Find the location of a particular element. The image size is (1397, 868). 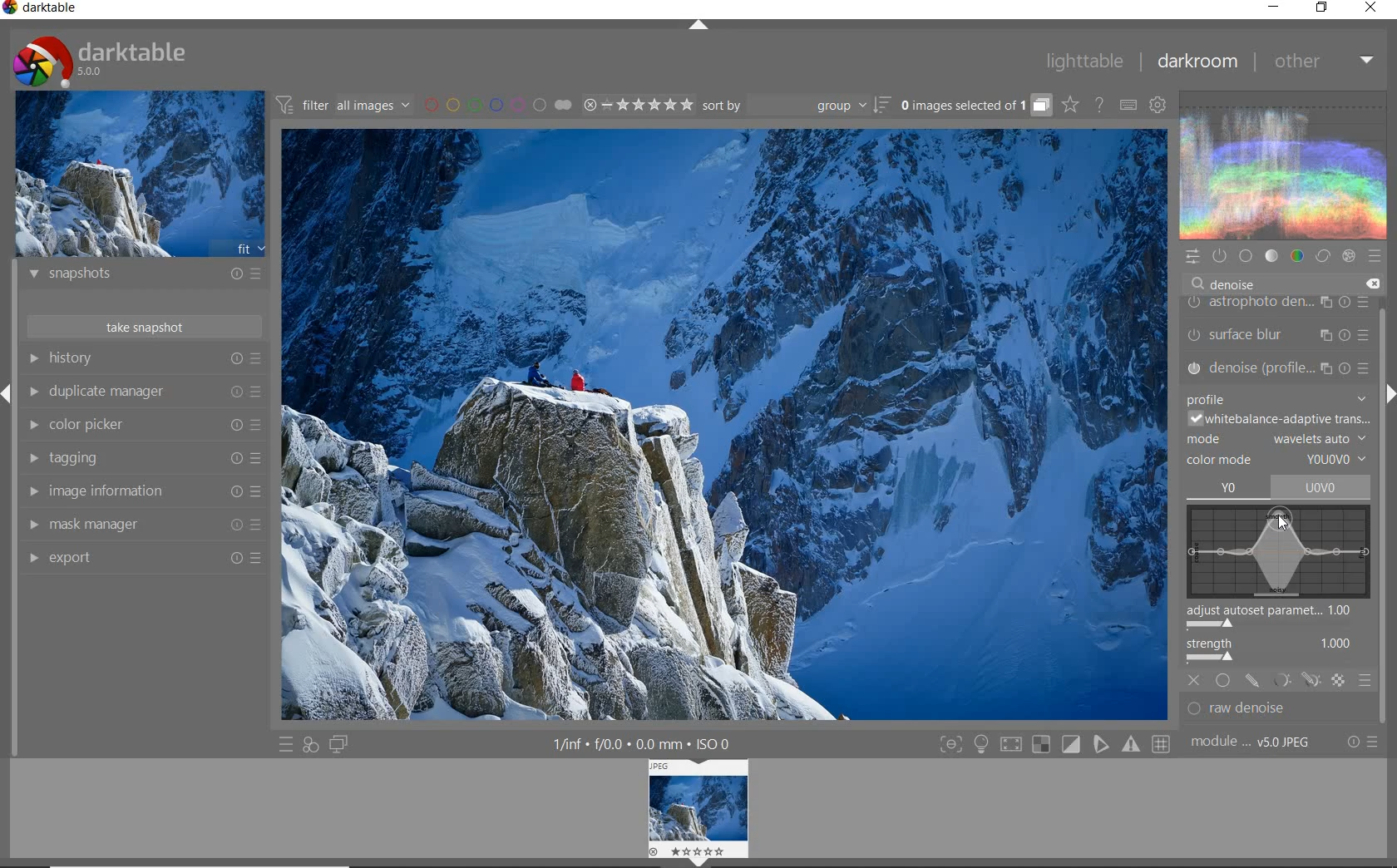

show global preferences is located at coordinates (1158, 104).